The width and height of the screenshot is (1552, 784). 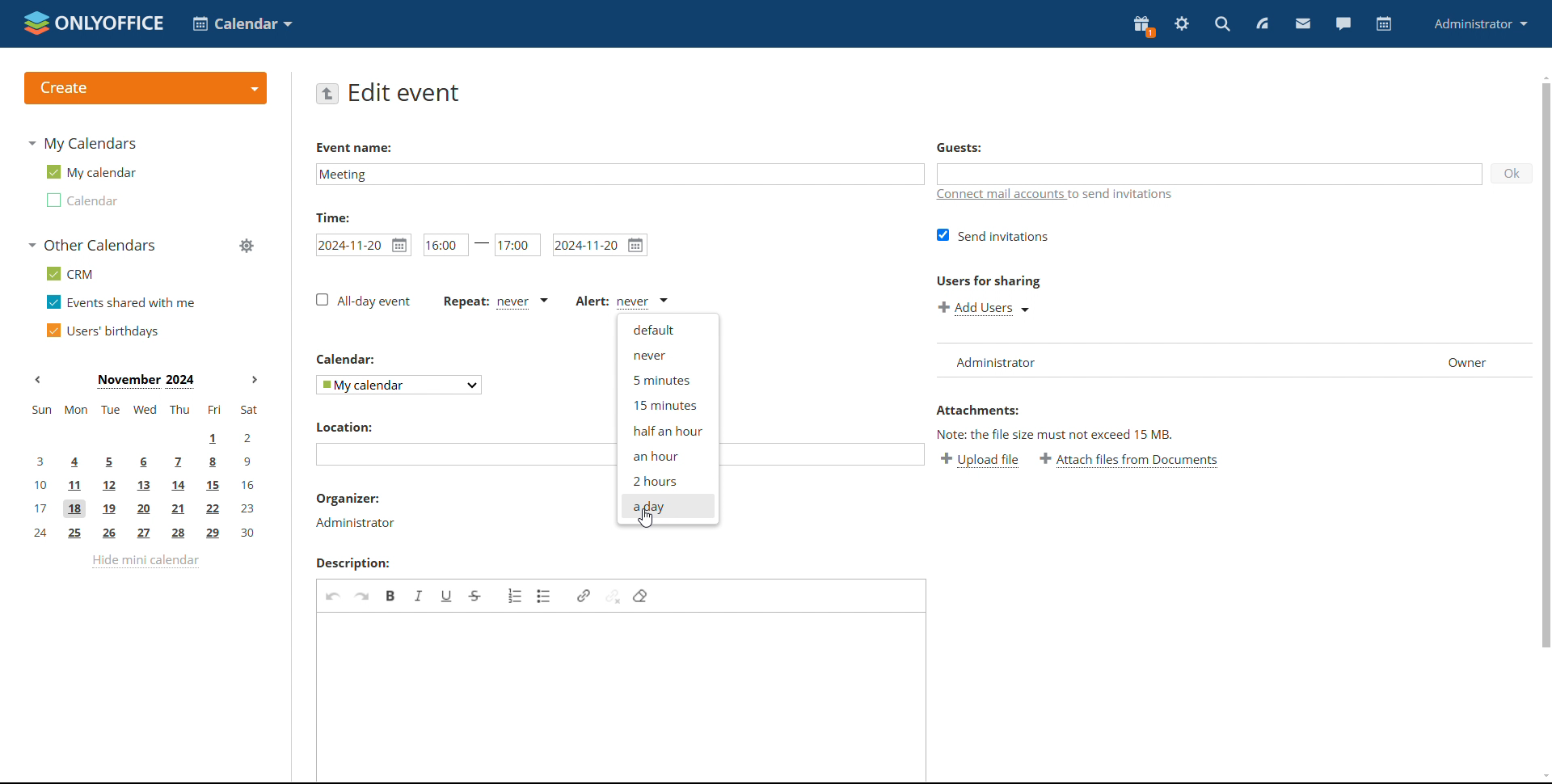 I want to click on my calendar, so click(x=90, y=172).